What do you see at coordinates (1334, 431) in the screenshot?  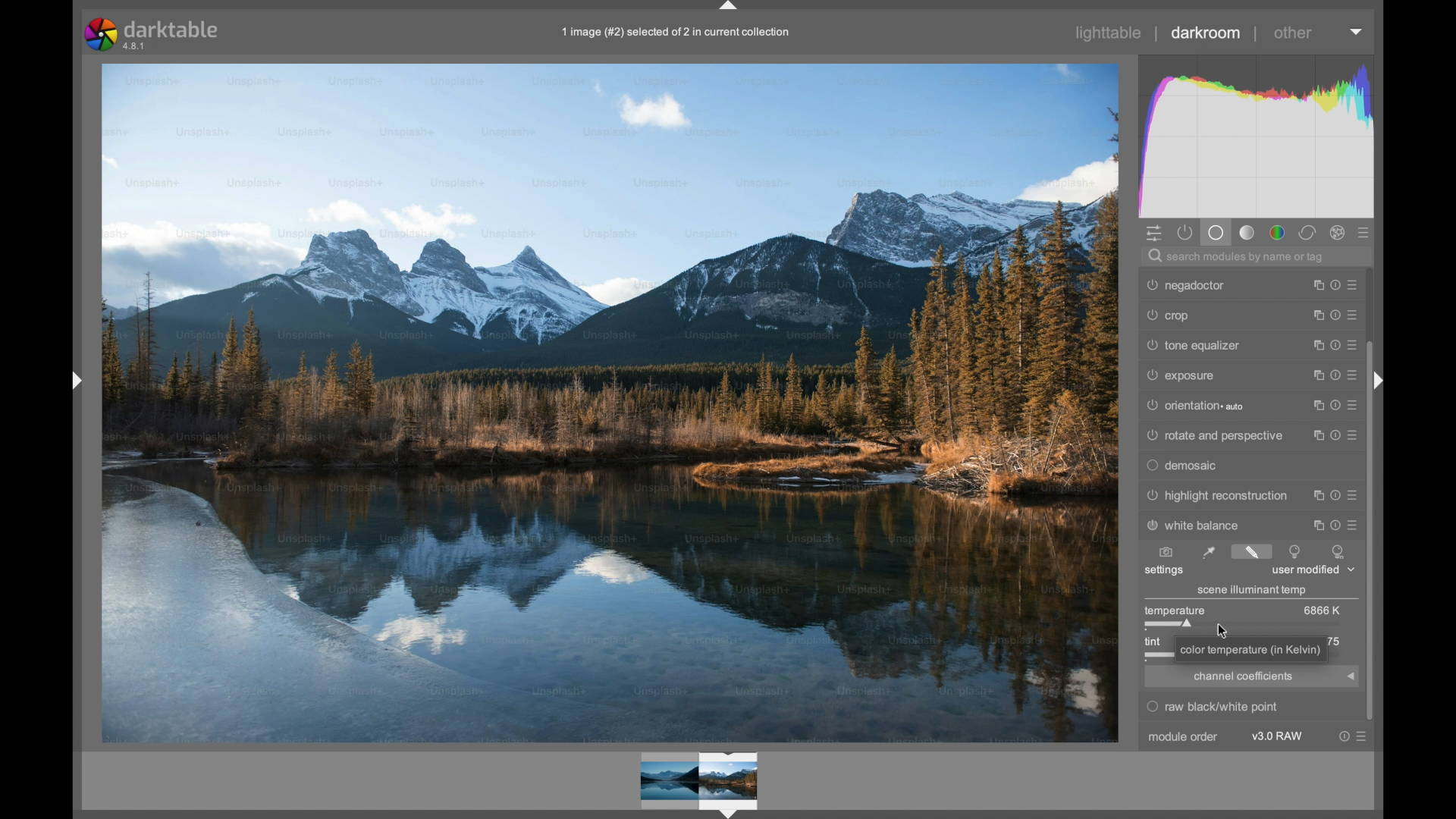 I see `reset parameters` at bounding box center [1334, 431].